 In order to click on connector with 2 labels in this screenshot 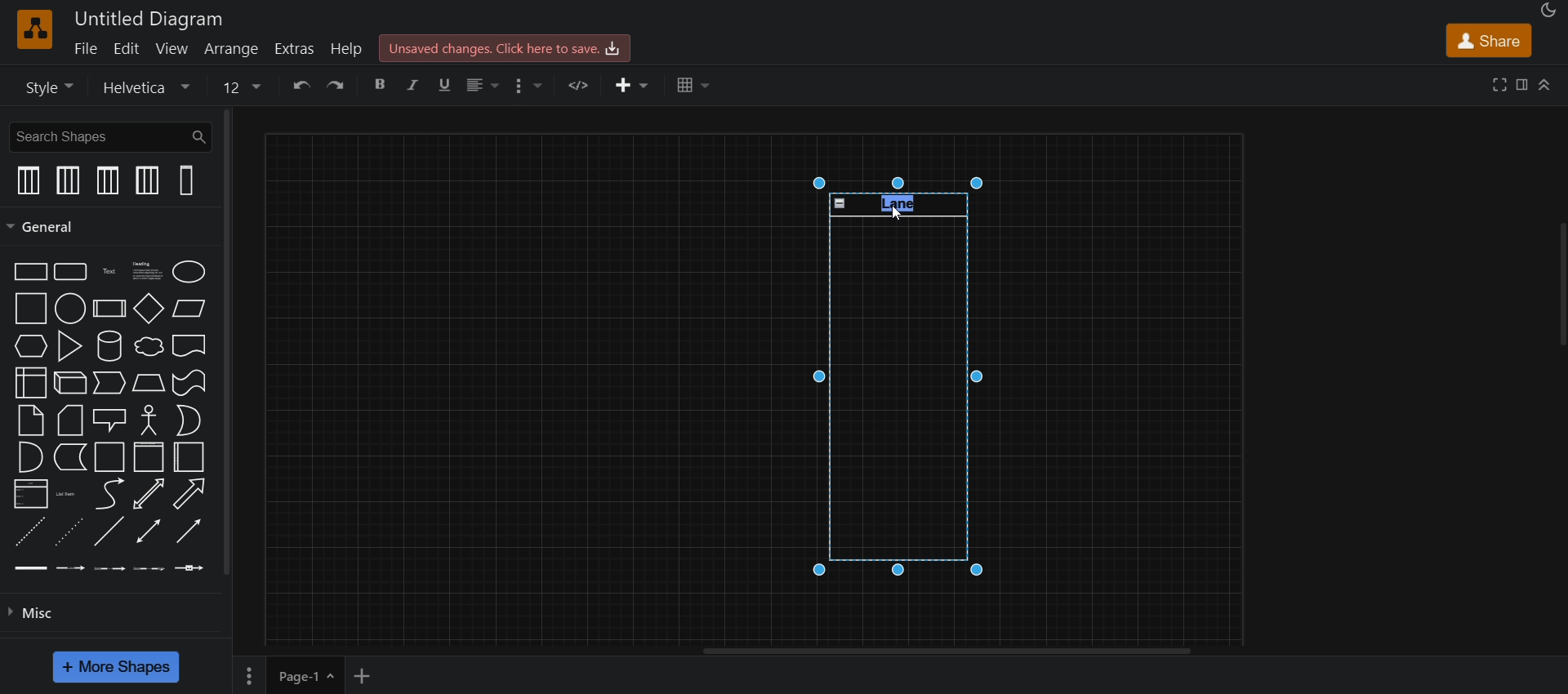, I will do `click(111, 568)`.